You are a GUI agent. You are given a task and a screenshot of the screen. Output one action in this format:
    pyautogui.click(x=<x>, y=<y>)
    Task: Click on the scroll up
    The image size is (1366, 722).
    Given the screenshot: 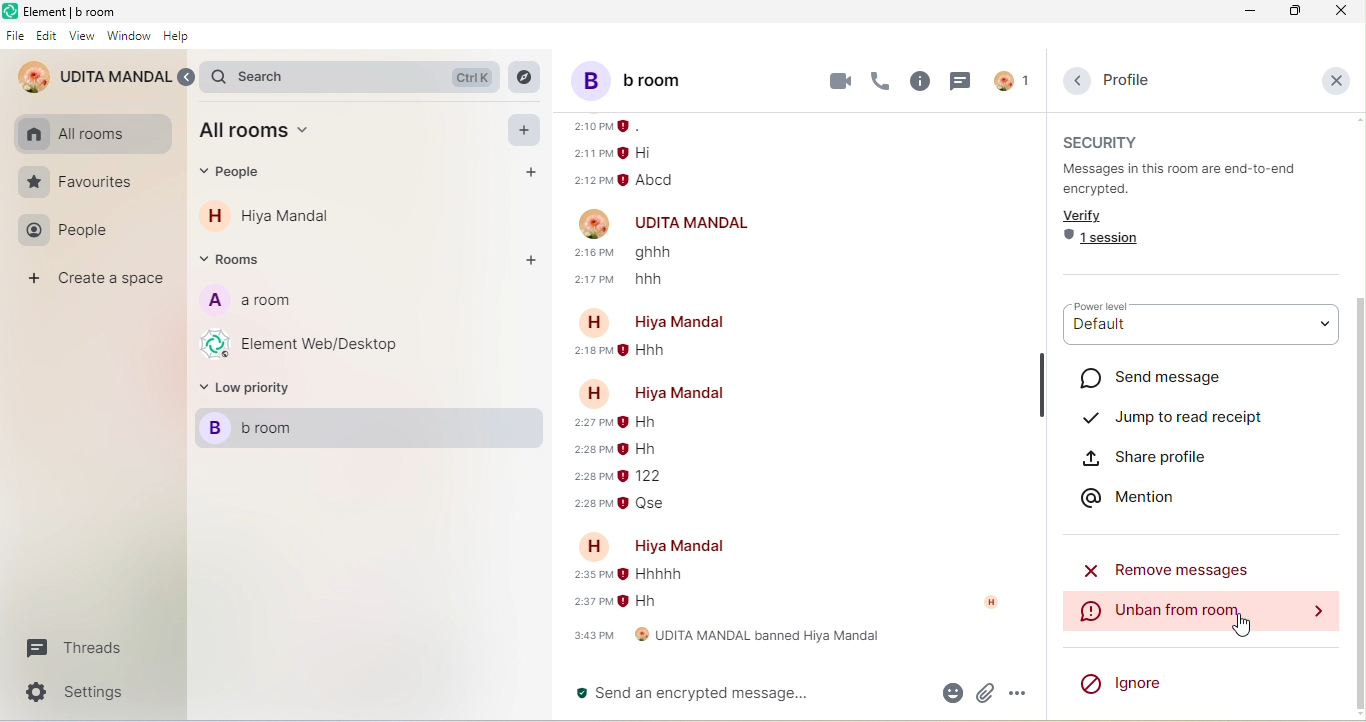 What is the action you would take?
    pyautogui.click(x=1357, y=119)
    